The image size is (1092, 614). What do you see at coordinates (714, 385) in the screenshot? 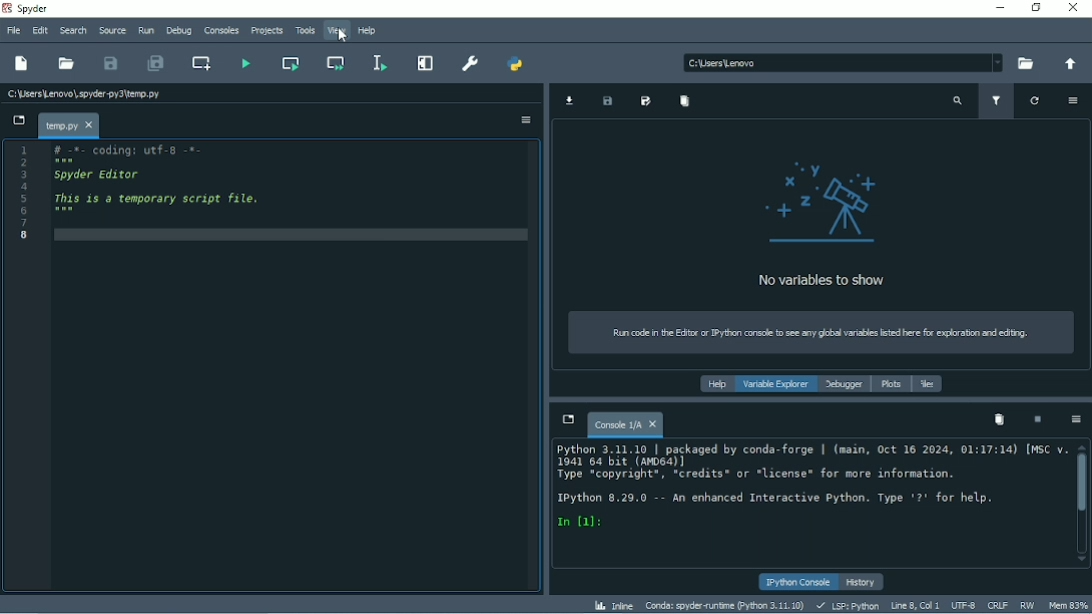
I see `Help` at bounding box center [714, 385].